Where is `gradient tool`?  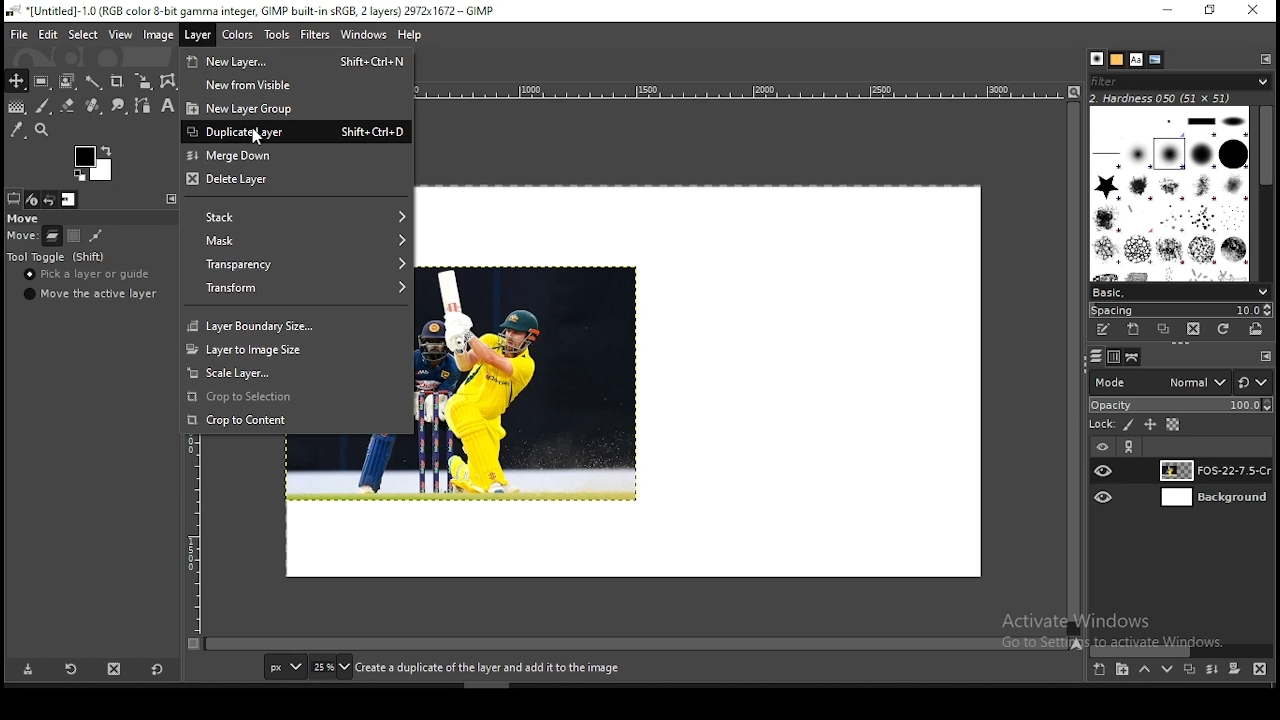 gradient tool is located at coordinates (16, 108).